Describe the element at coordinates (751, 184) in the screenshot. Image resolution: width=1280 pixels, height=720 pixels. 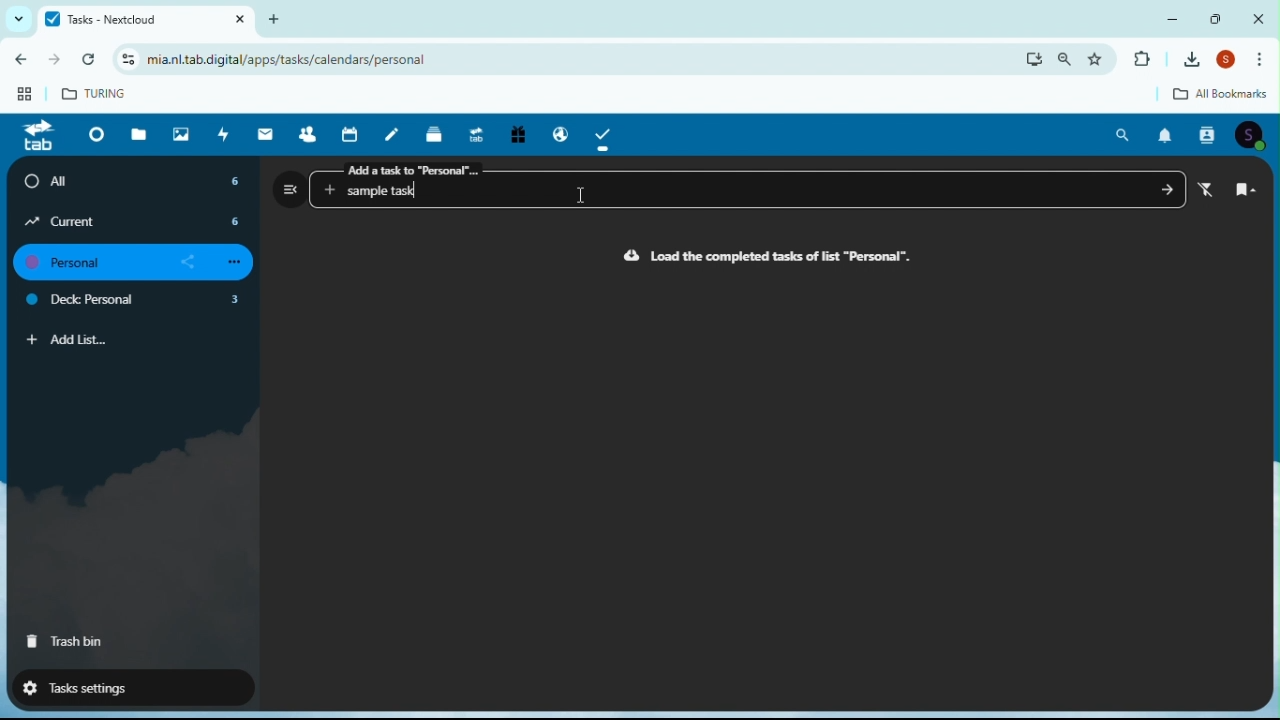
I see `Add a task to "Personal"...Add a task to "Personal" ` at that location.